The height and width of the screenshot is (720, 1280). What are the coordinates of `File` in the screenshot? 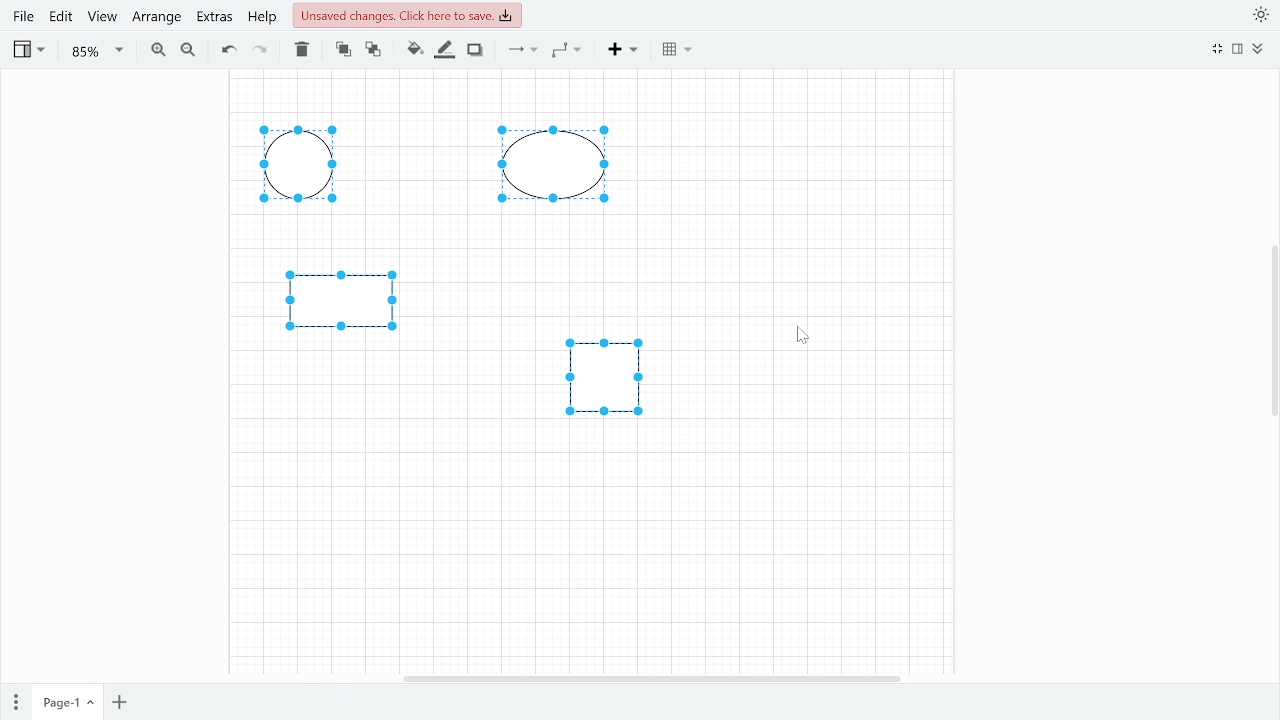 It's located at (22, 18).